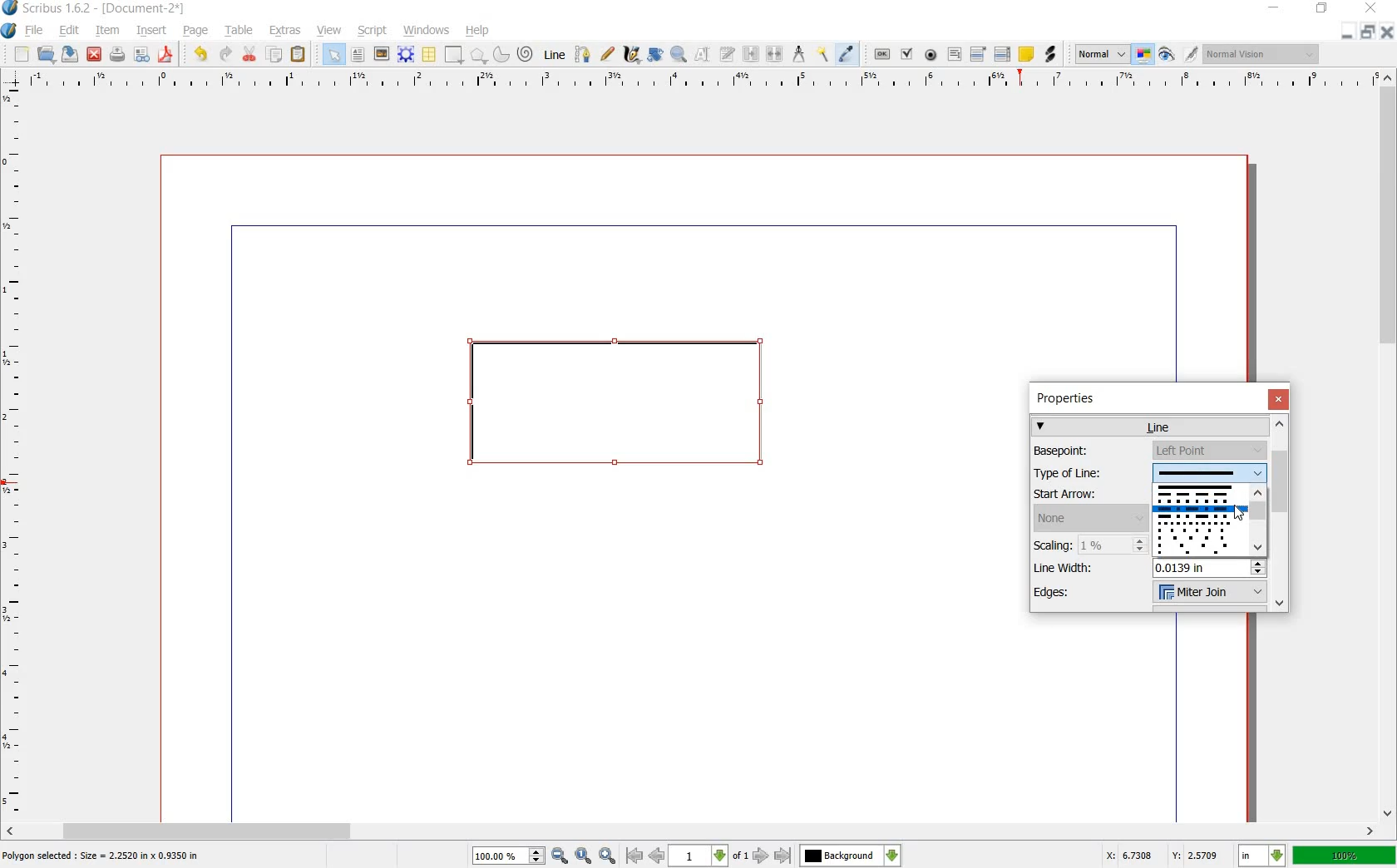  What do you see at coordinates (656, 856) in the screenshot?
I see `go to previous page` at bounding box center [656, 856].